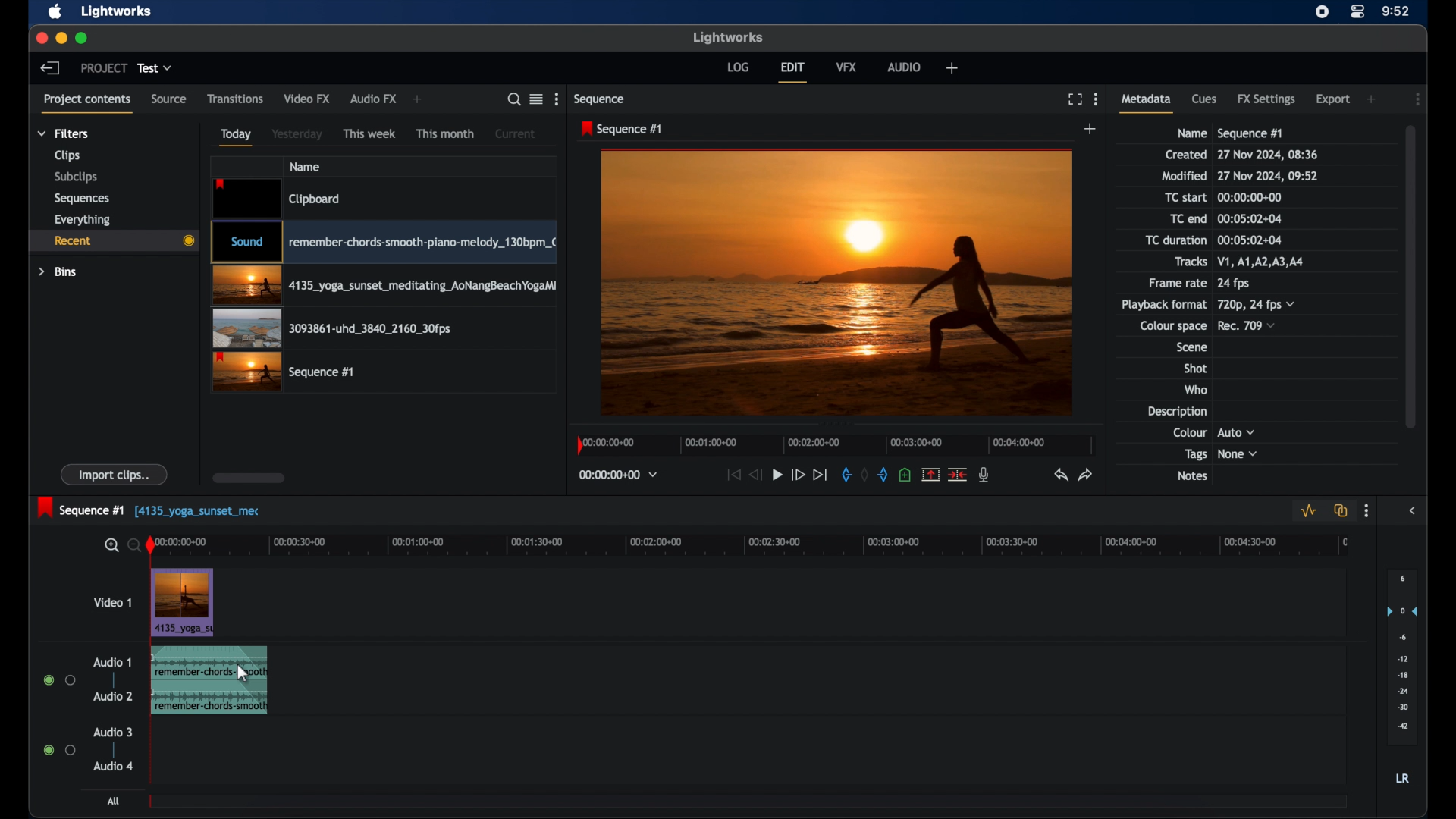  What do you see at coordinates (59, 679) in the screenshot?
I see `radio buttons` at bounding box center [59, 679].